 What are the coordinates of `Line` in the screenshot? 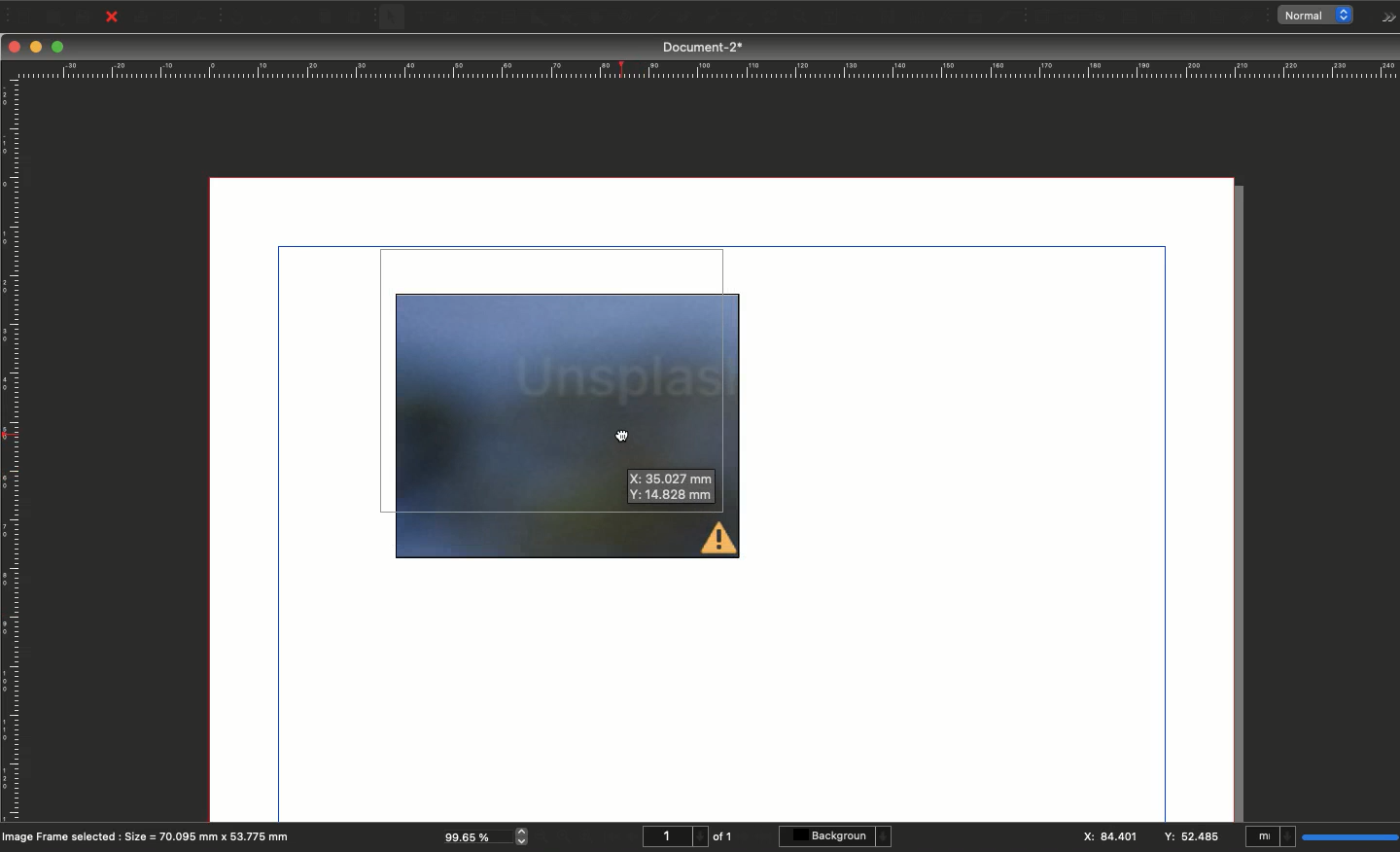 It's located at (652, 18).